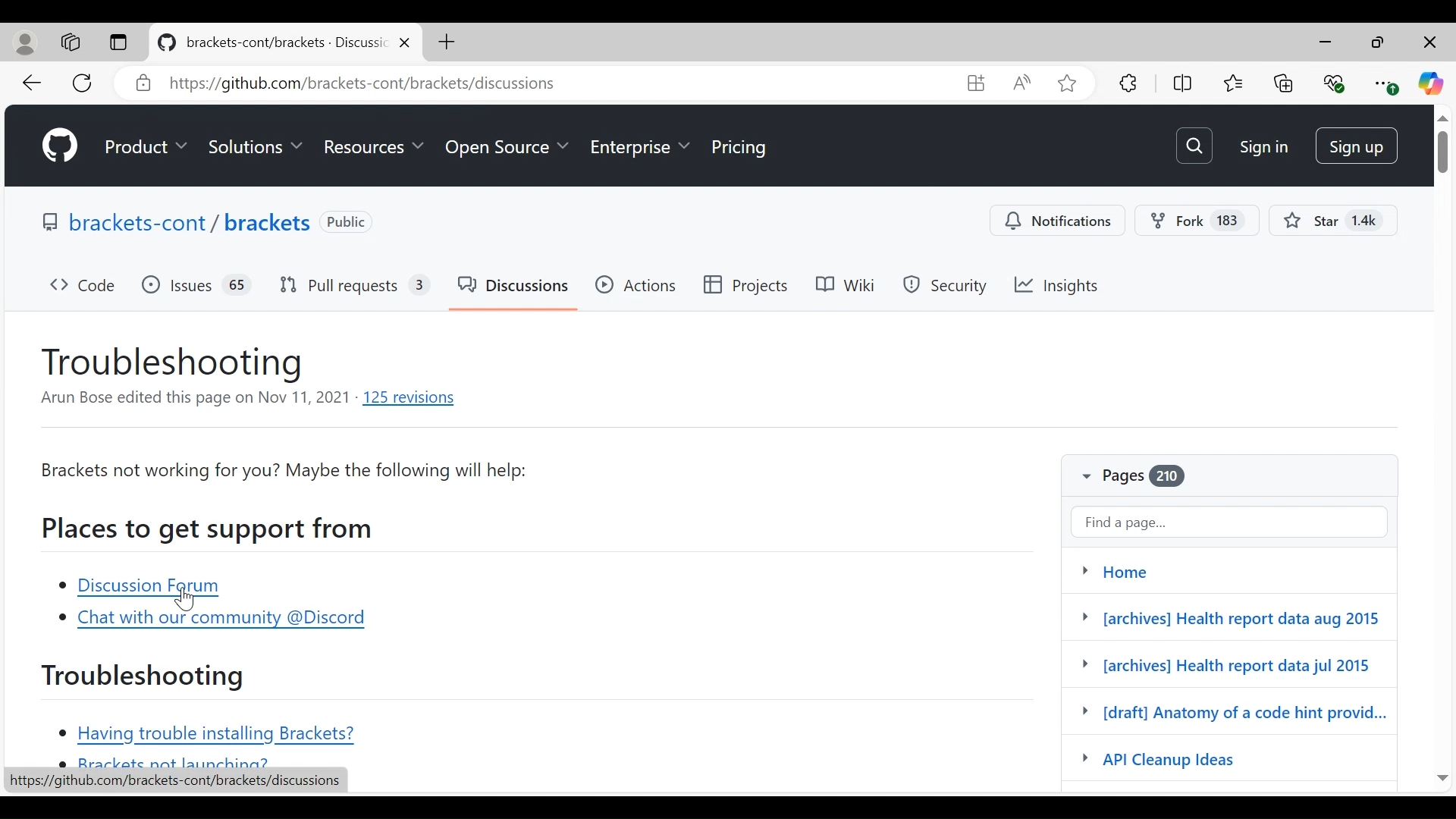 The height and width of the screenshot is (819, 1456). What do you see at coordinates (1228, 519) in the screenshot?
I see `Find a page` at bounding box center [1228, 519].